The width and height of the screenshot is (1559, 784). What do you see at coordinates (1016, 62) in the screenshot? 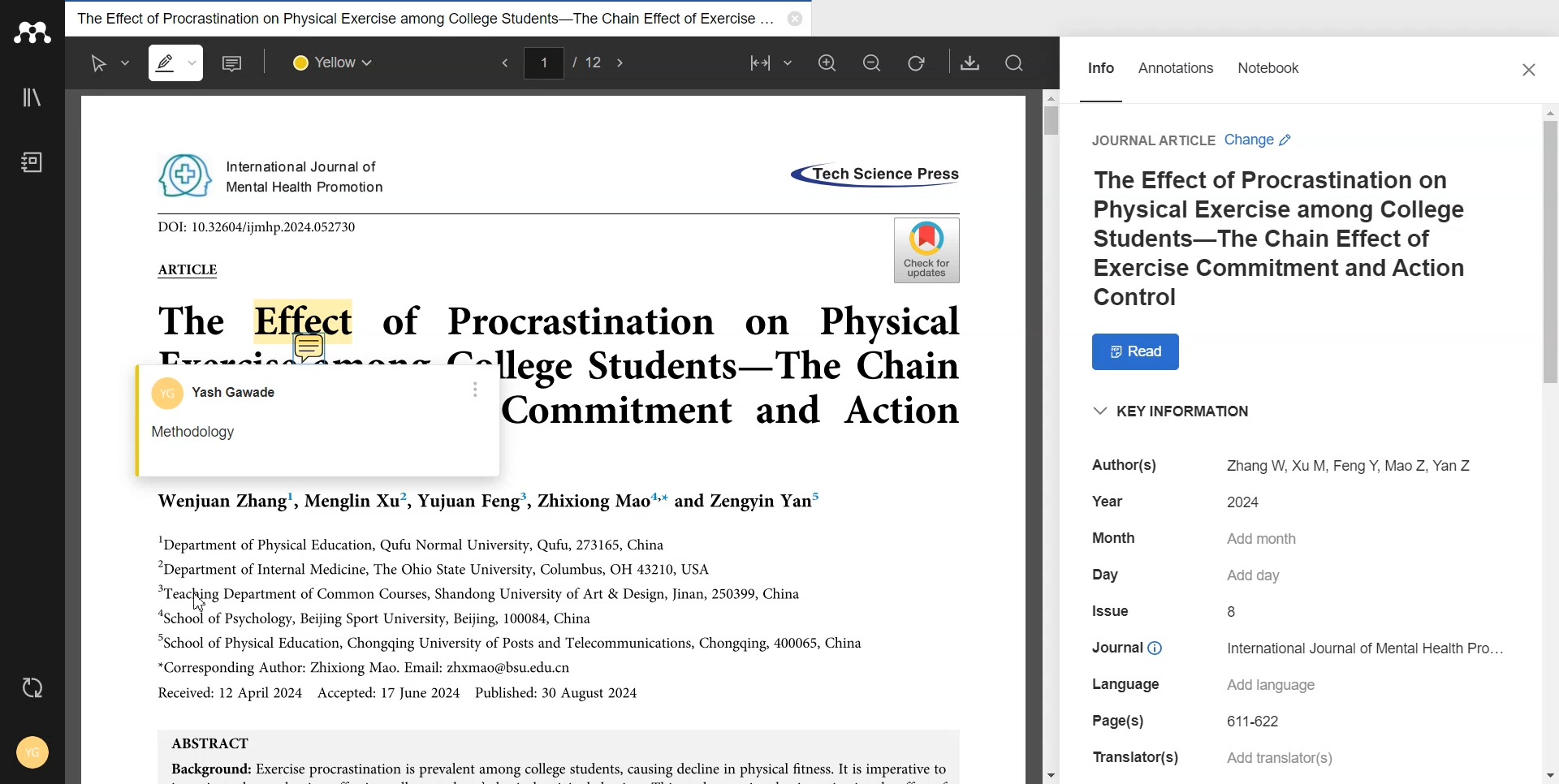
I see `Search` at bounding box center [1016, 62].